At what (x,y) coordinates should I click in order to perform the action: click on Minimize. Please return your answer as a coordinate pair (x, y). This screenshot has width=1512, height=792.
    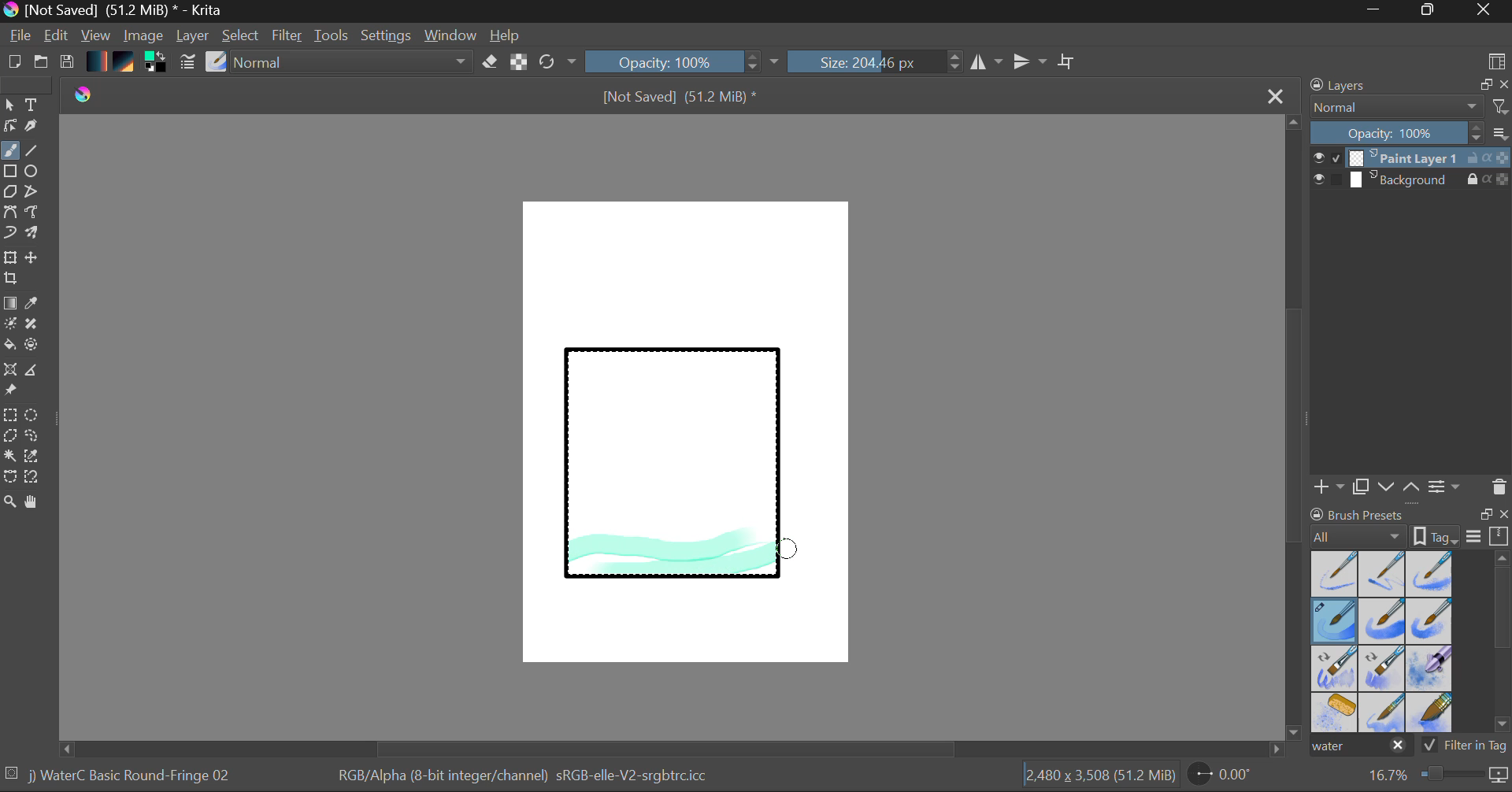
    Looking at the image, I should click on (1431, 11).